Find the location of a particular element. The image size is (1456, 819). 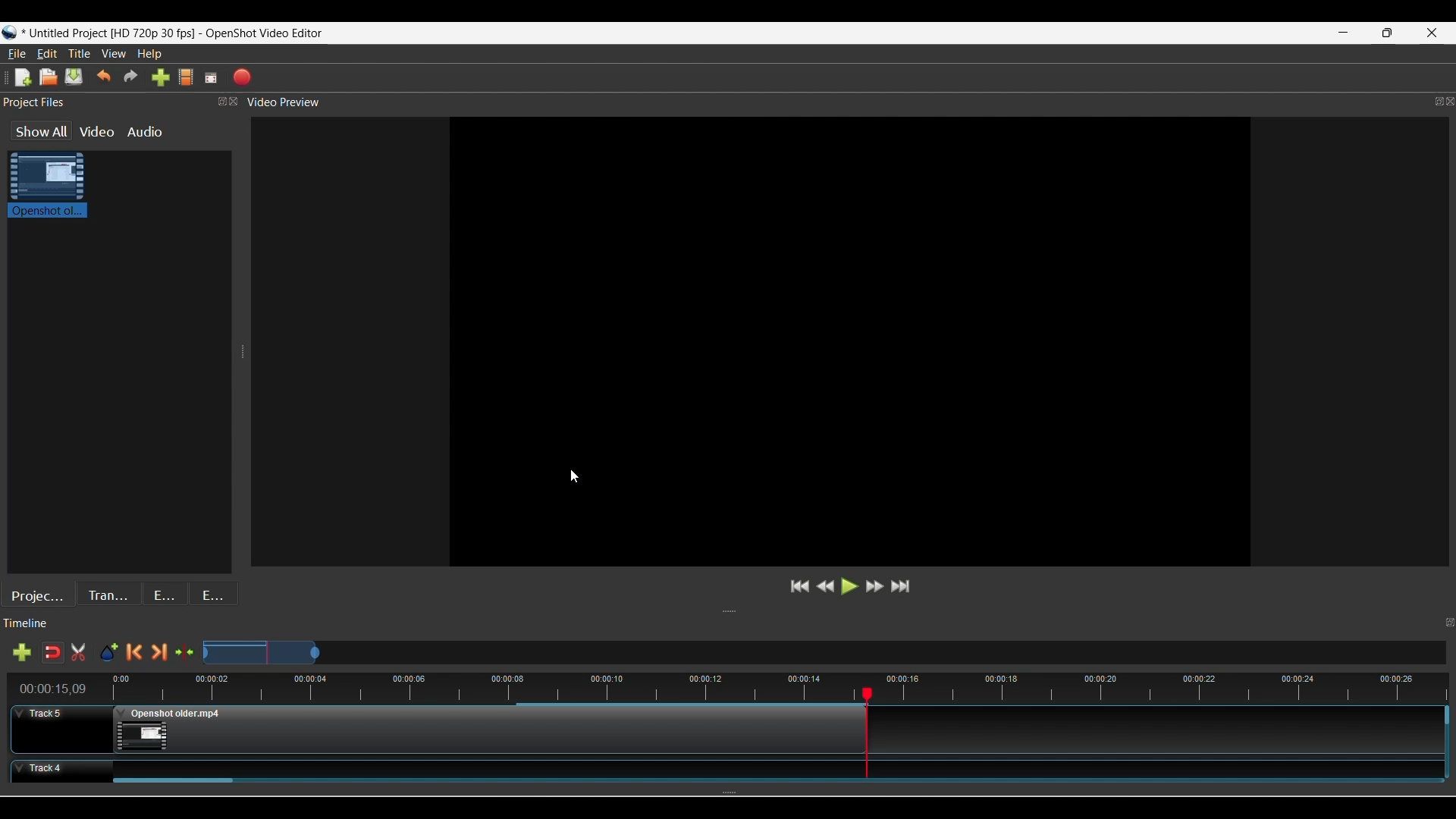

Minimize is located at coordinates (1341, 33).